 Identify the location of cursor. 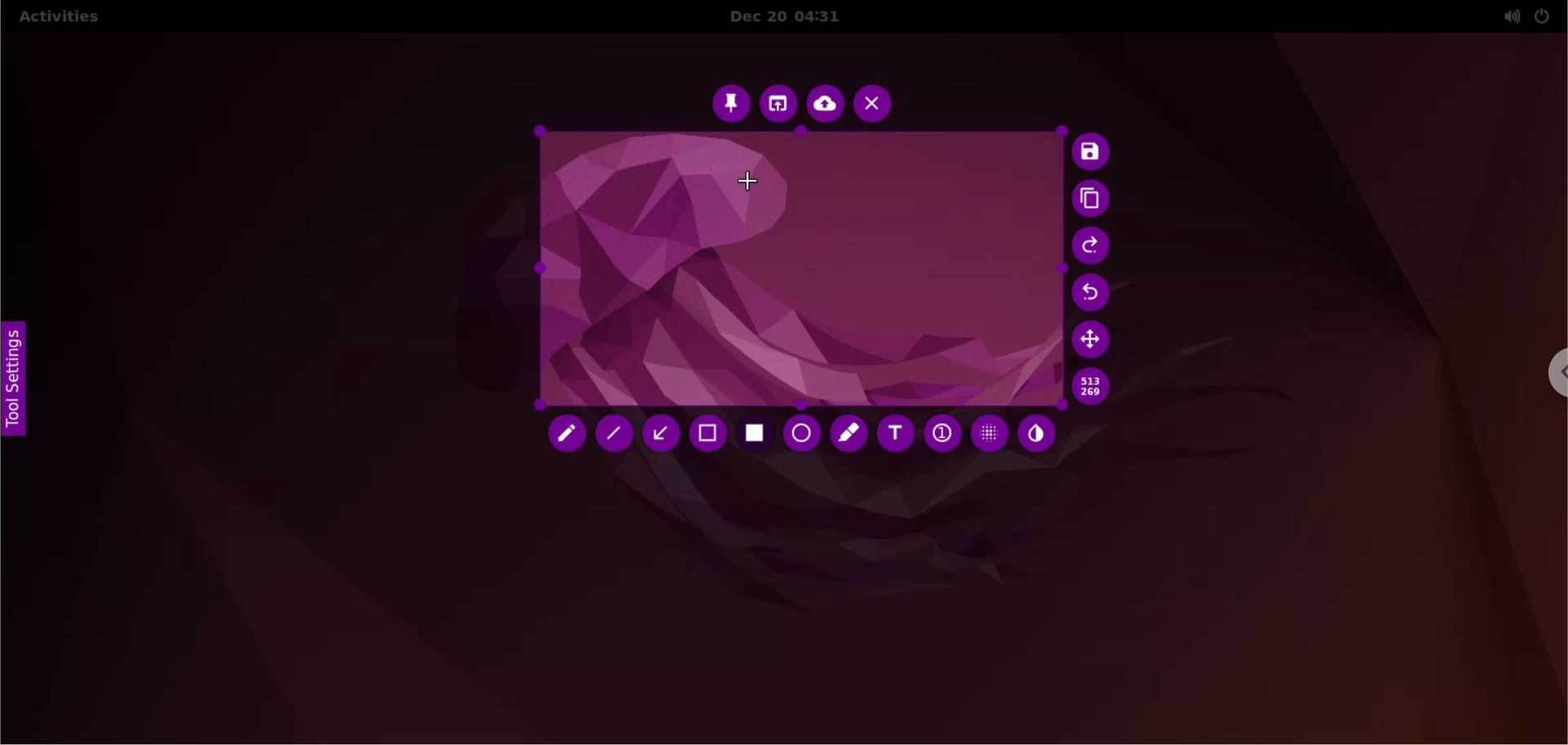
(758, 184).